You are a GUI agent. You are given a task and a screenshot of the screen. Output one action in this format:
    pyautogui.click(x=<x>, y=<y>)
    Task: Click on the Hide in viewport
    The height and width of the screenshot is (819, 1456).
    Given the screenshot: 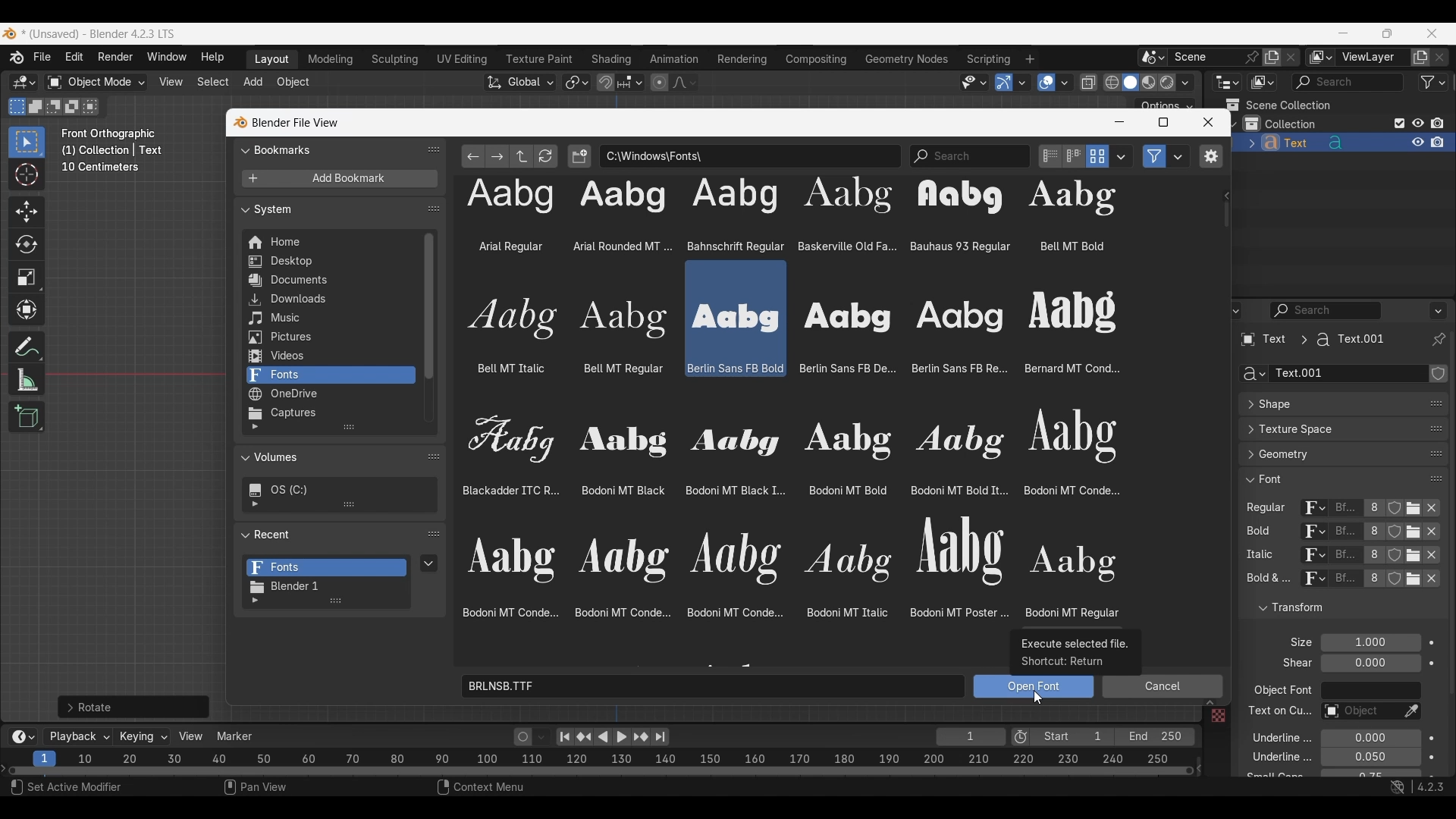 What is the action you would take?
    pyautogui.click(x=1417, y=123)
    